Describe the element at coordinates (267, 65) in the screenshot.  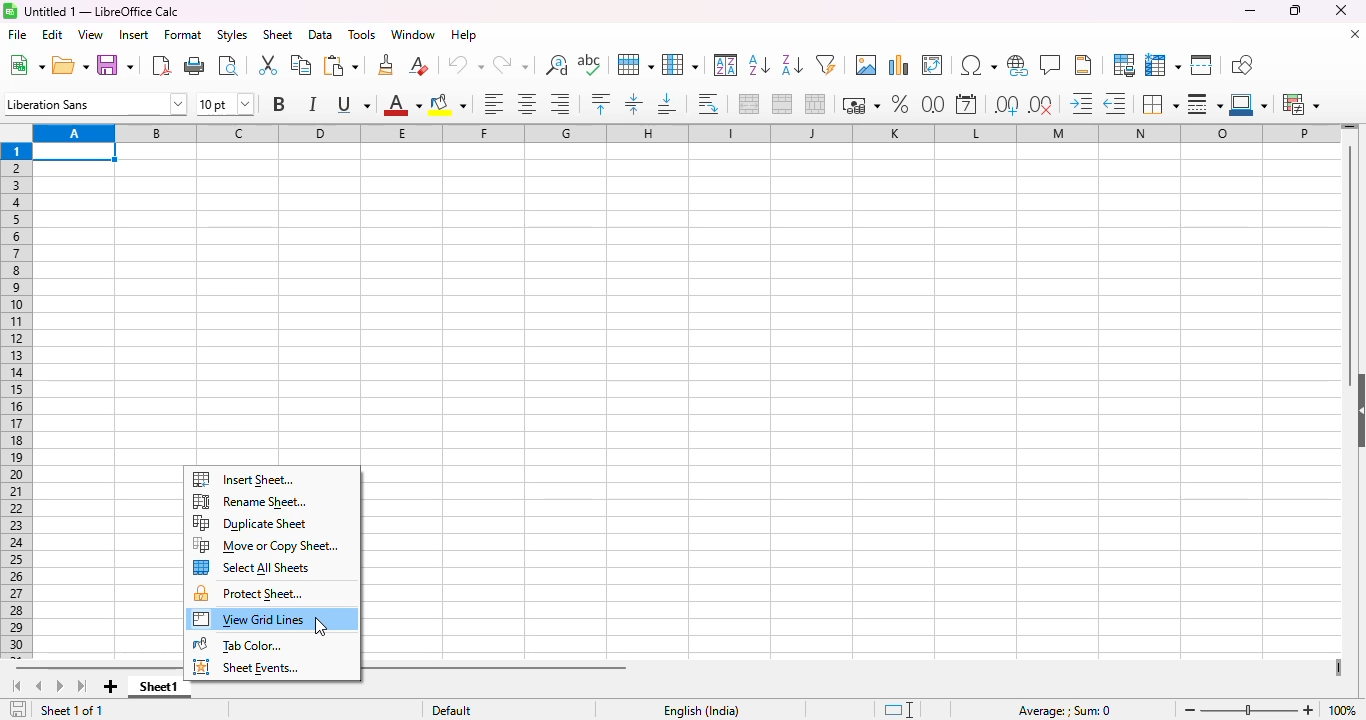
I see `cut` at that location.